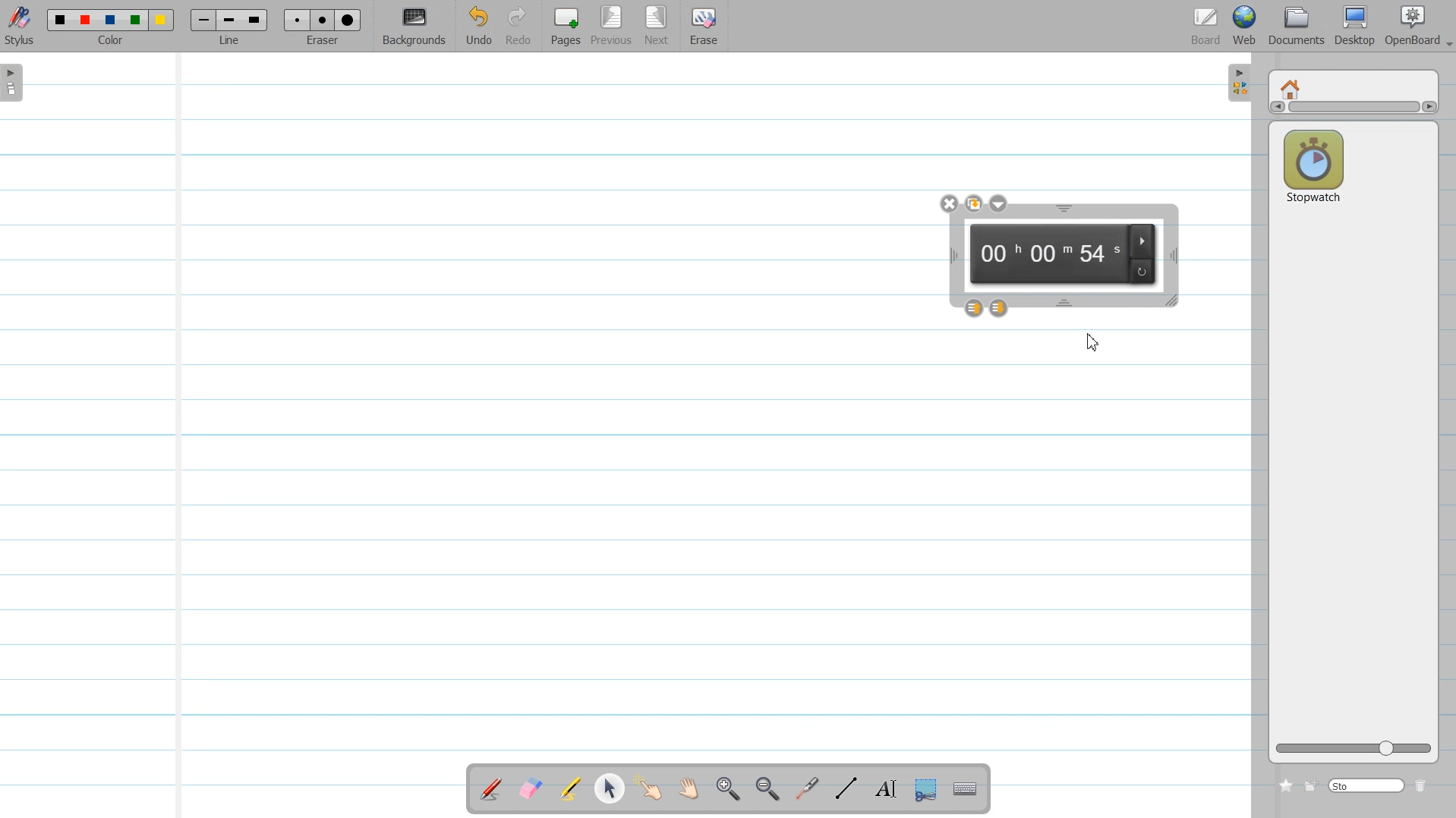  I want to click on Redo, so click(519, 27).